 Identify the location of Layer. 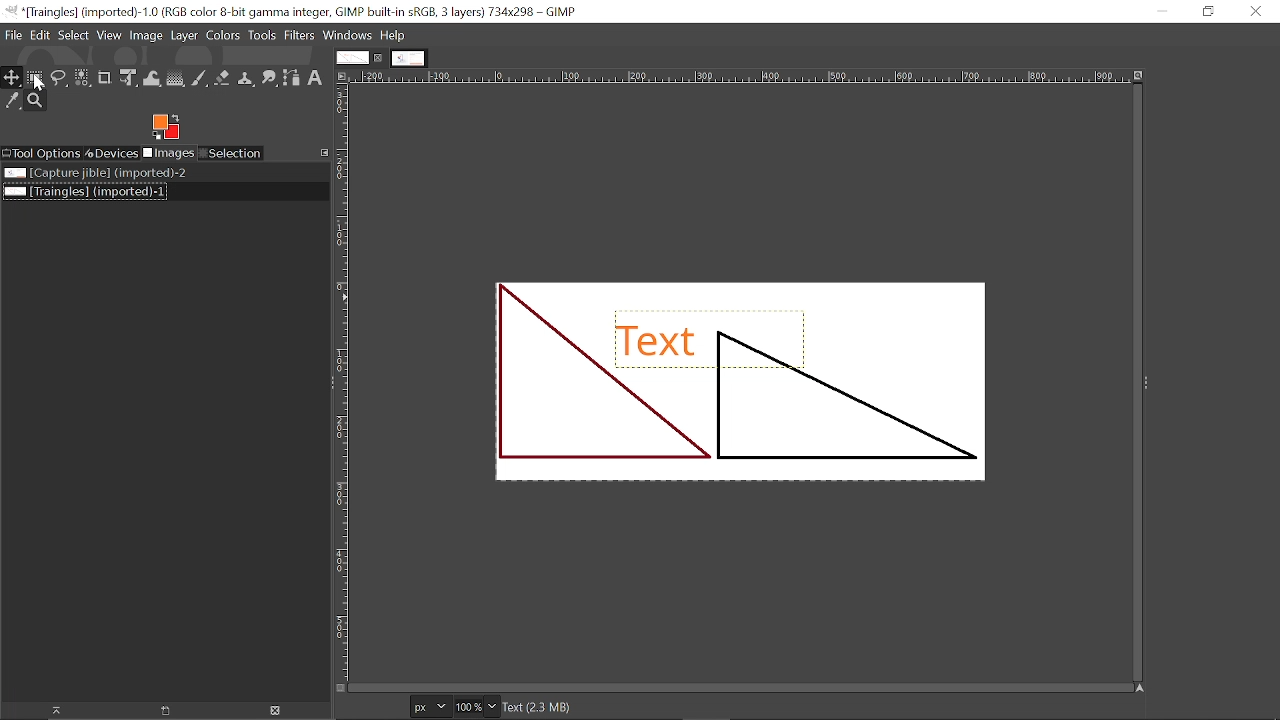
(184, 36).